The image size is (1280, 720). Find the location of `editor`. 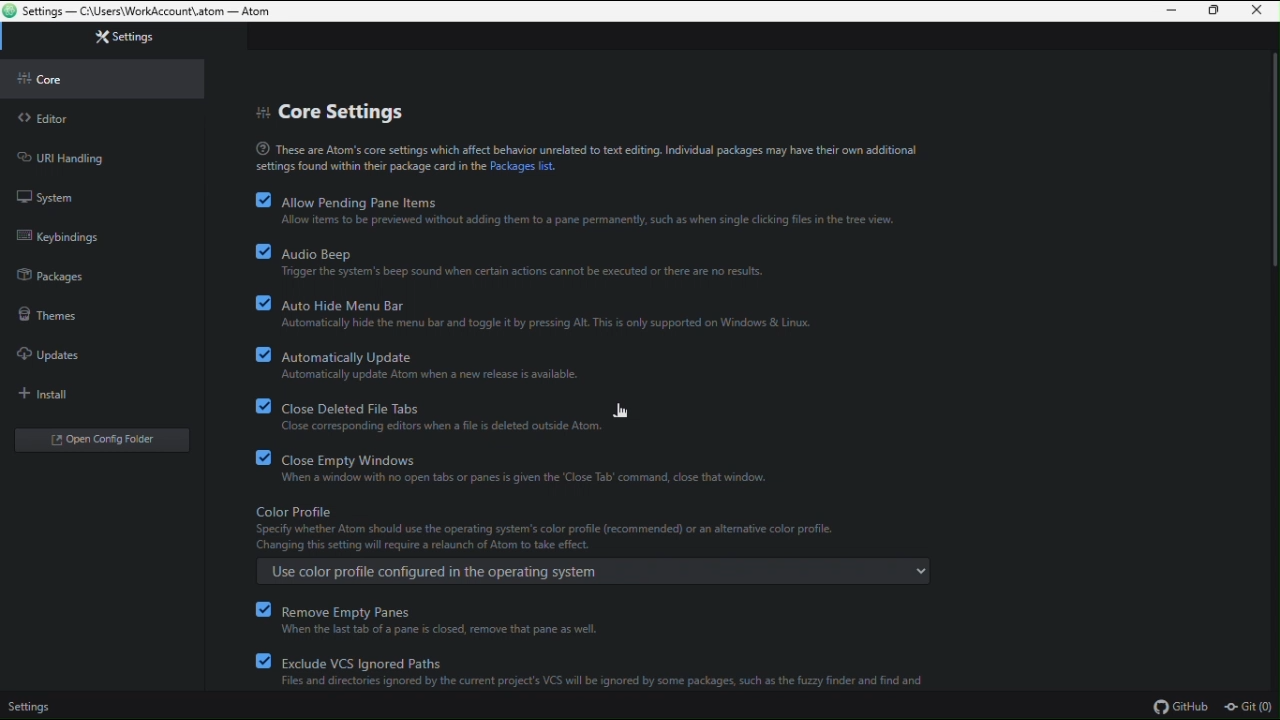

editor is located at coordinates (76, 122).